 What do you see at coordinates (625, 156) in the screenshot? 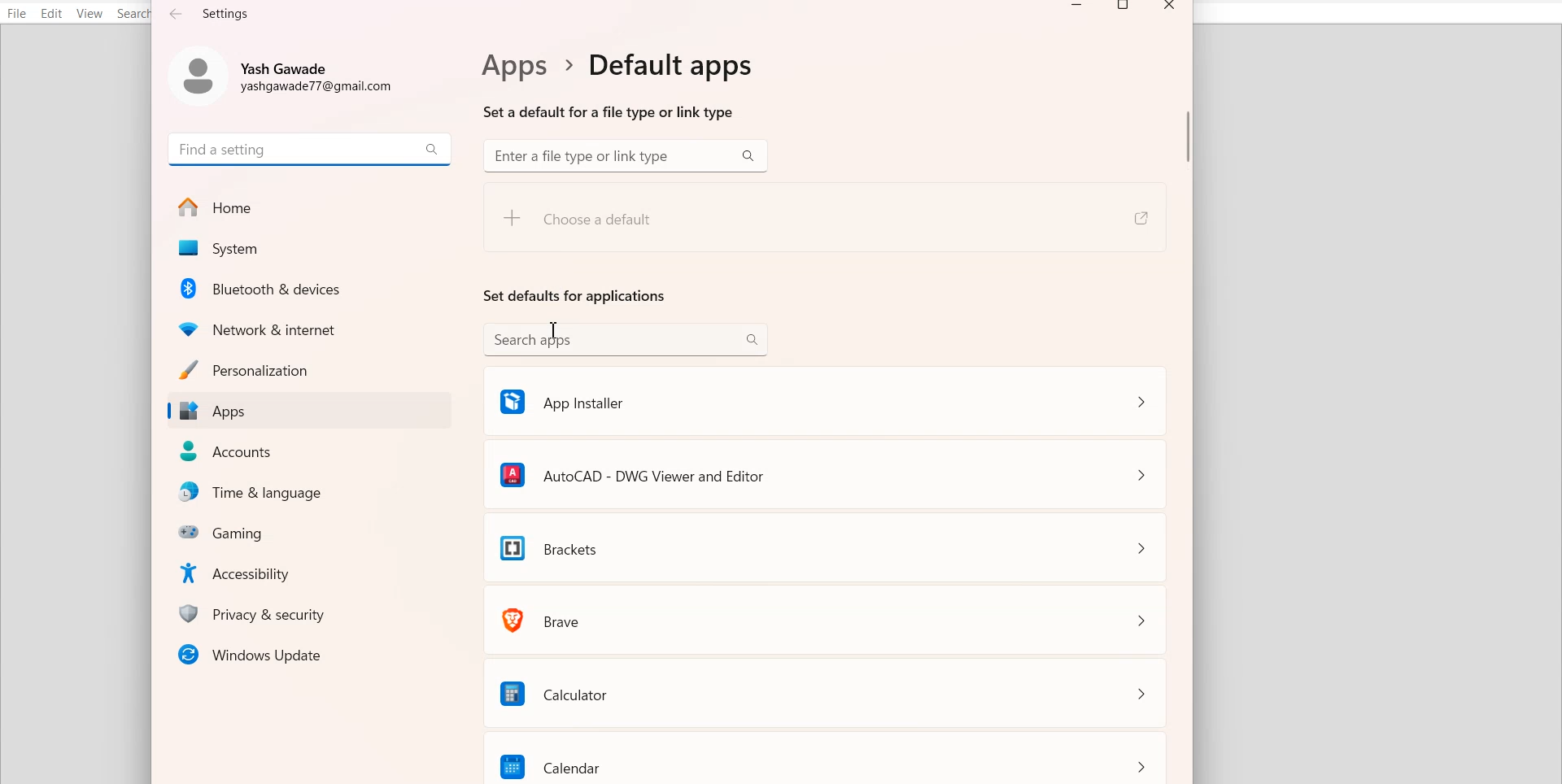
I see `Search bar` at bounding box center [625, 156].